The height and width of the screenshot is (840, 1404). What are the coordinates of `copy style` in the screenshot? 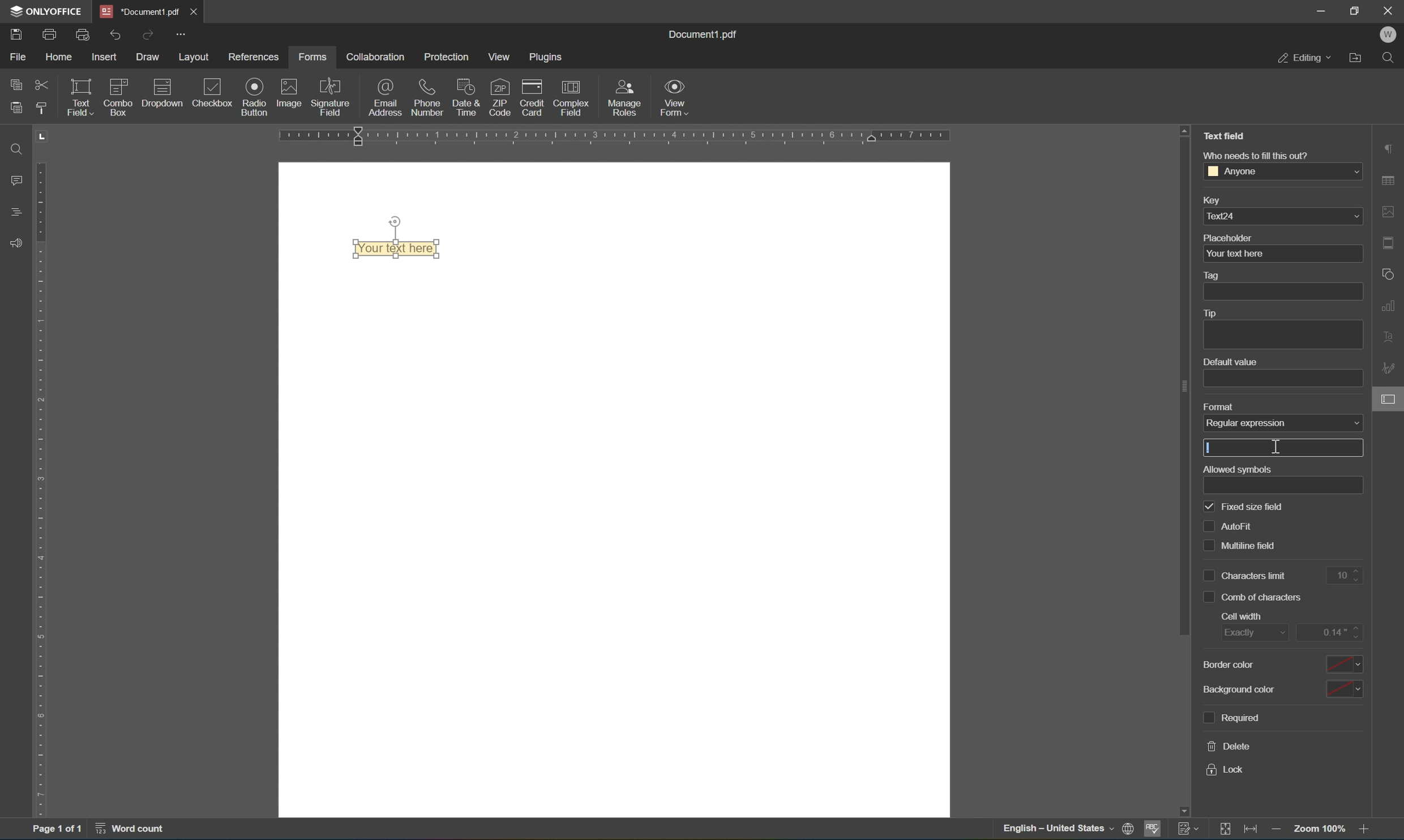 It's located at (40, 108).